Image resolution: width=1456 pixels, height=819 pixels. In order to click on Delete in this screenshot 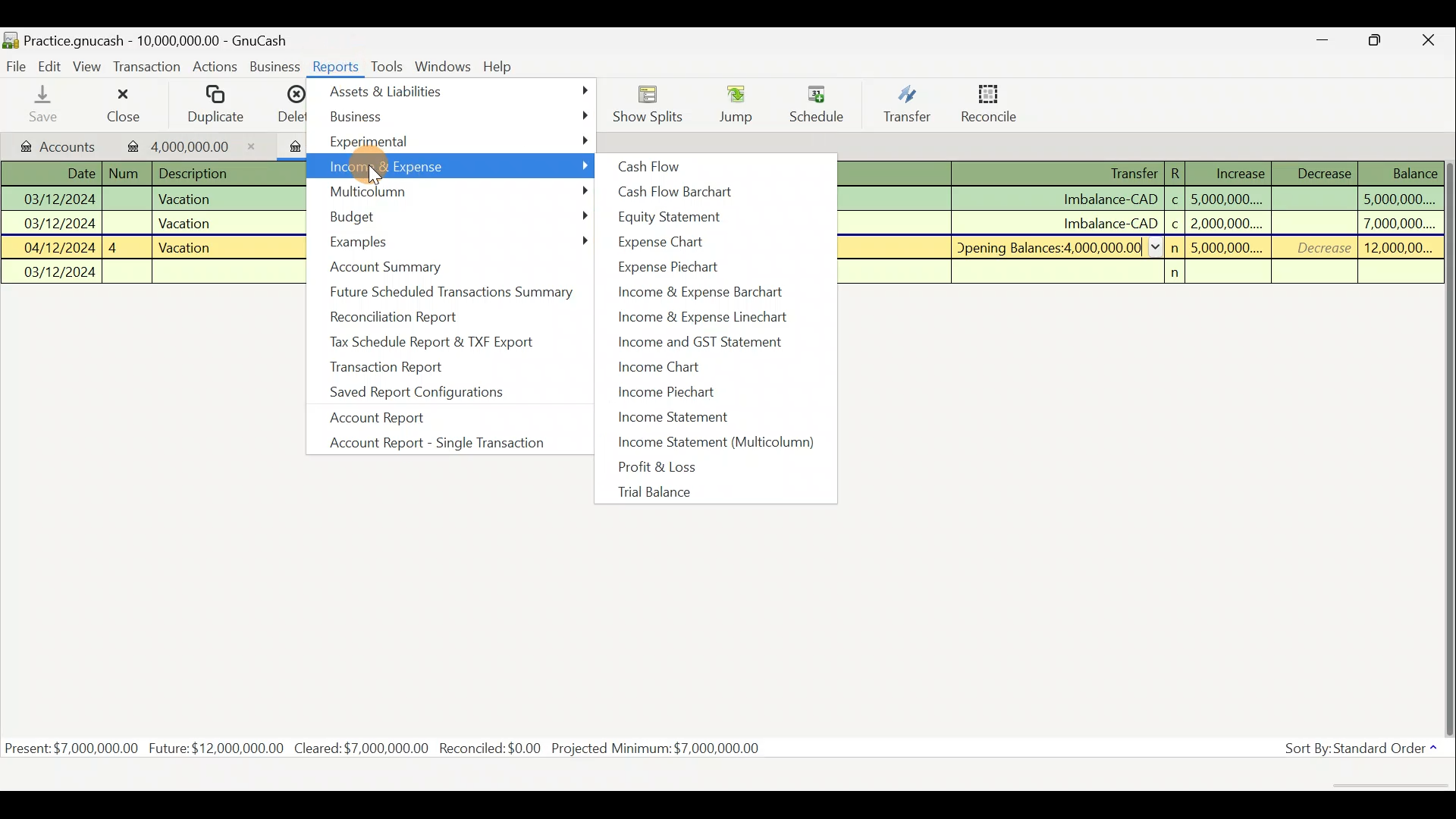, I will do `click(290, 103)`.